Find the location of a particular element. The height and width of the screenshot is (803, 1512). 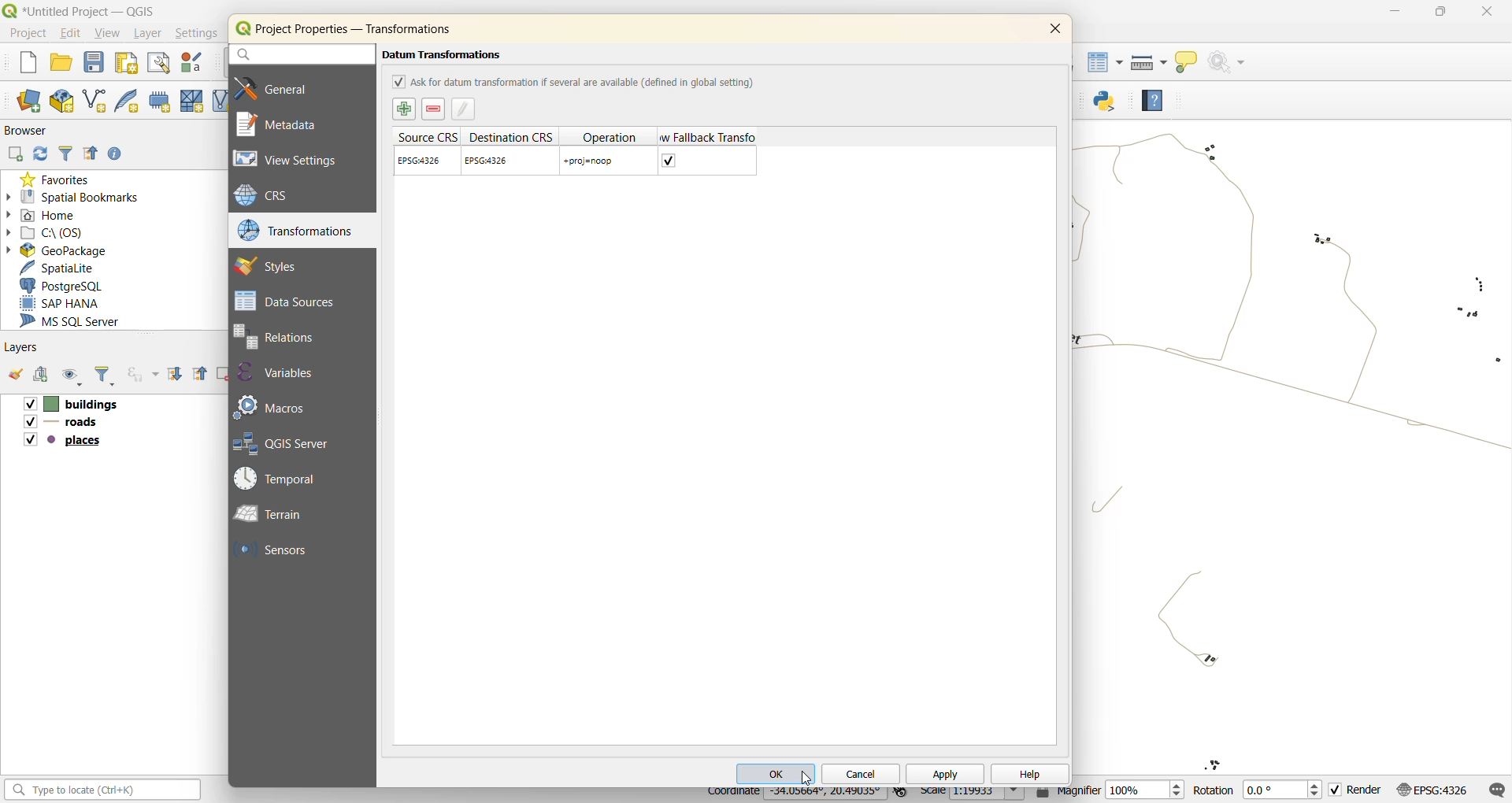

close is located at coordinates (1055, 30).